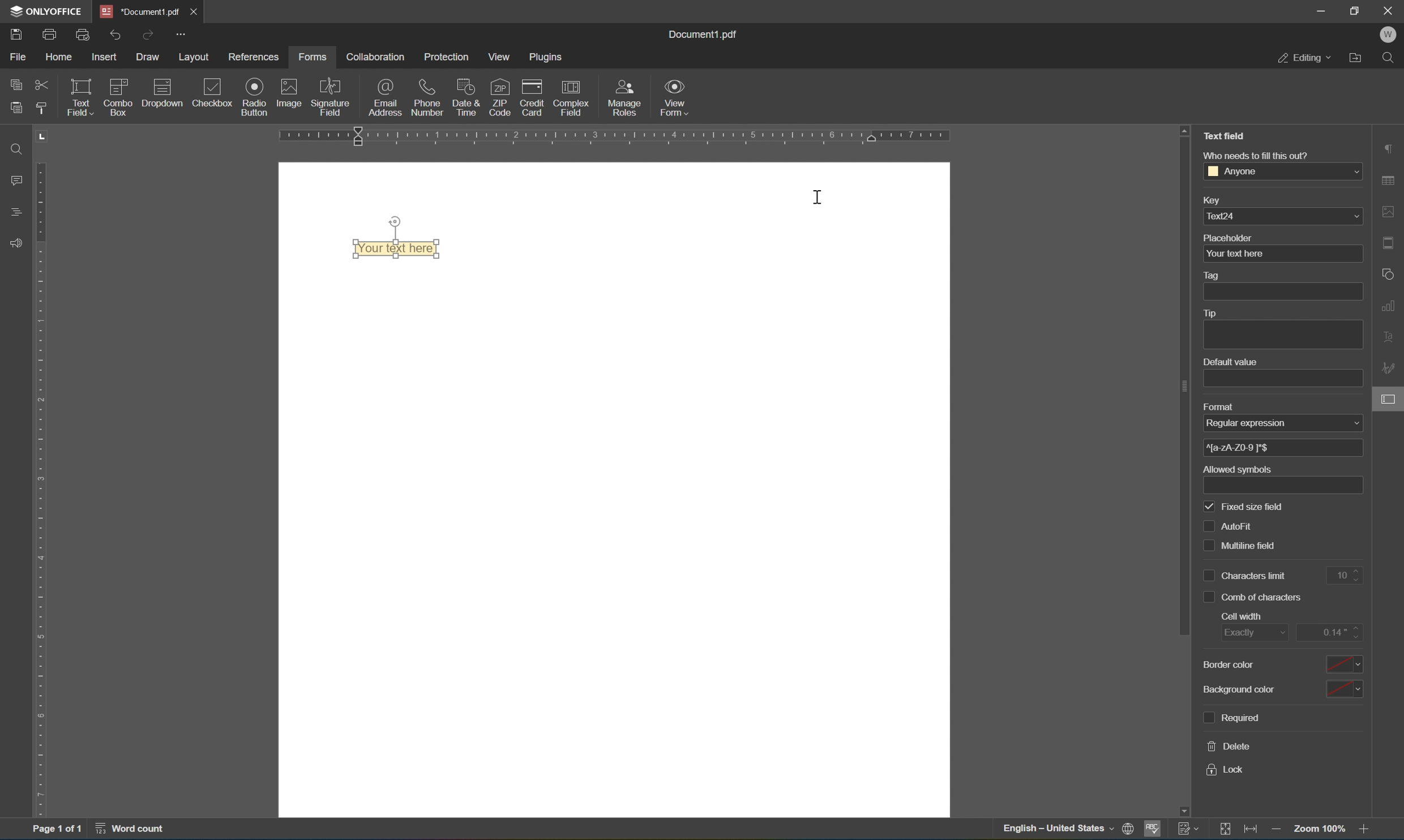 This screenshot has width=1404, height=840. What do you see at coordinates (162, 97) in the screenshot?
I see `icon` at bounding box center [162, 97].